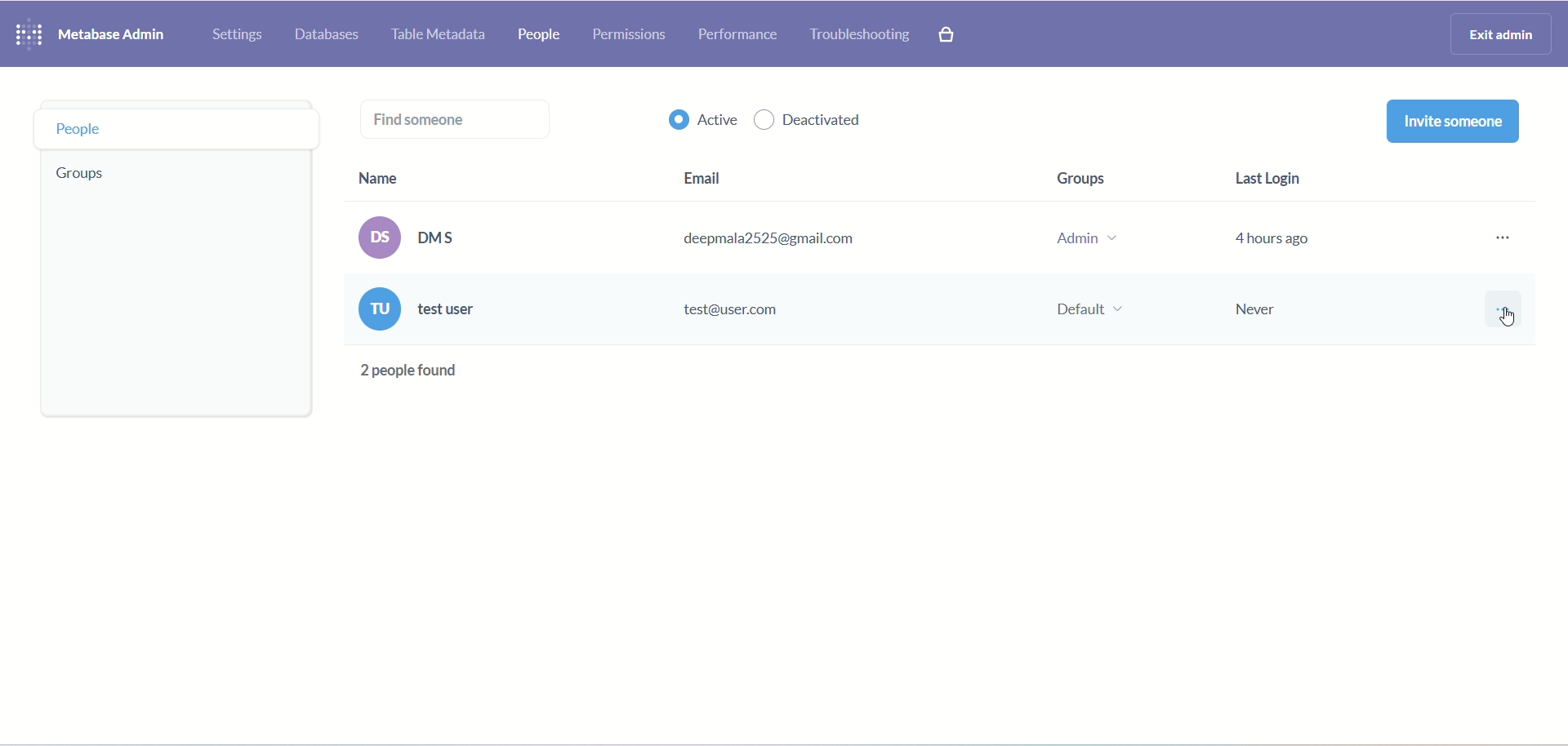  What do you see at coordinates (1094, 175) in the screenshot?
I see `groups` at bounding box center [1094, 175].